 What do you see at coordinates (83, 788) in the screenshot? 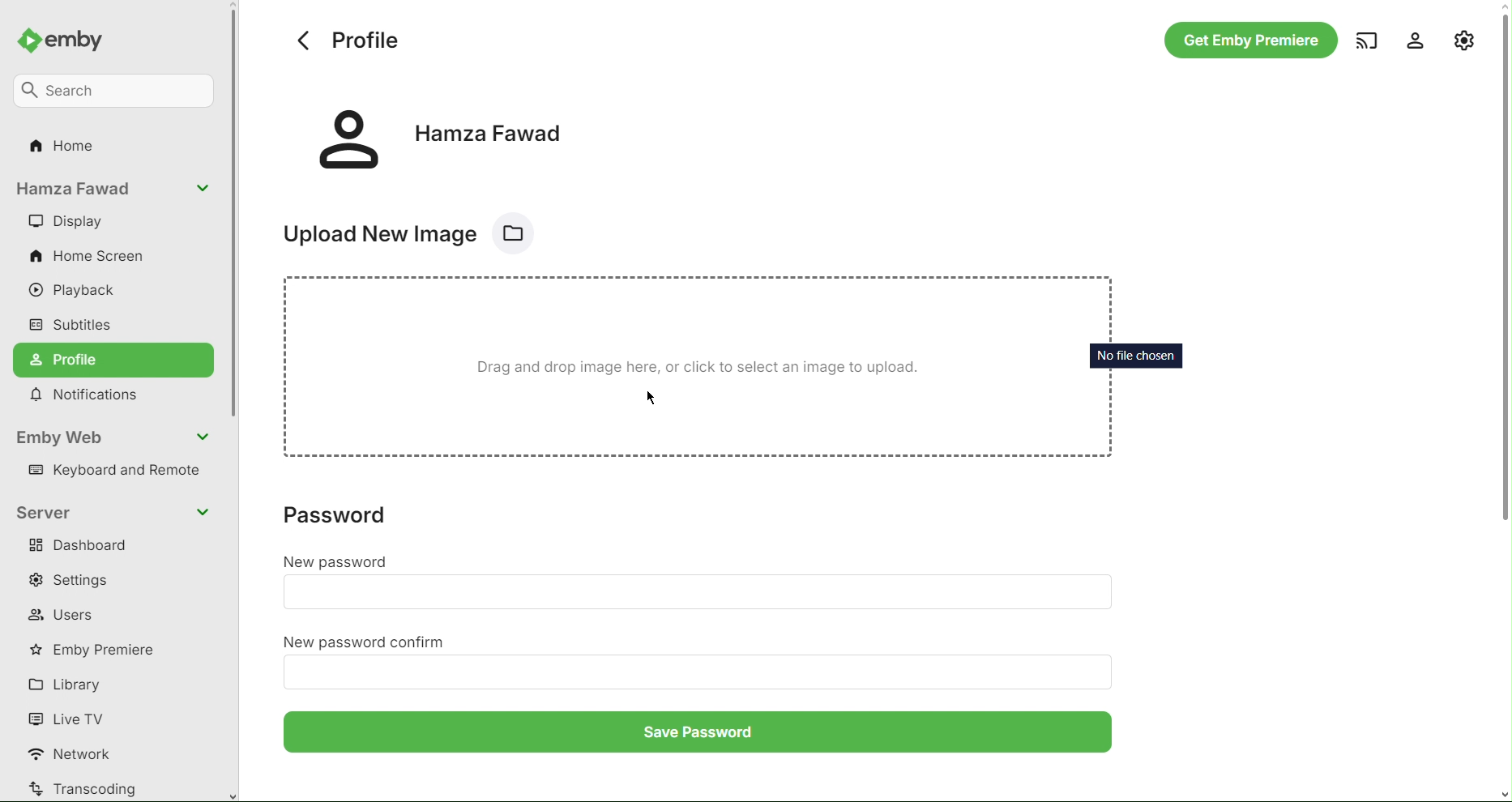
I see `Transcoding` at bounding box center [83, 788].